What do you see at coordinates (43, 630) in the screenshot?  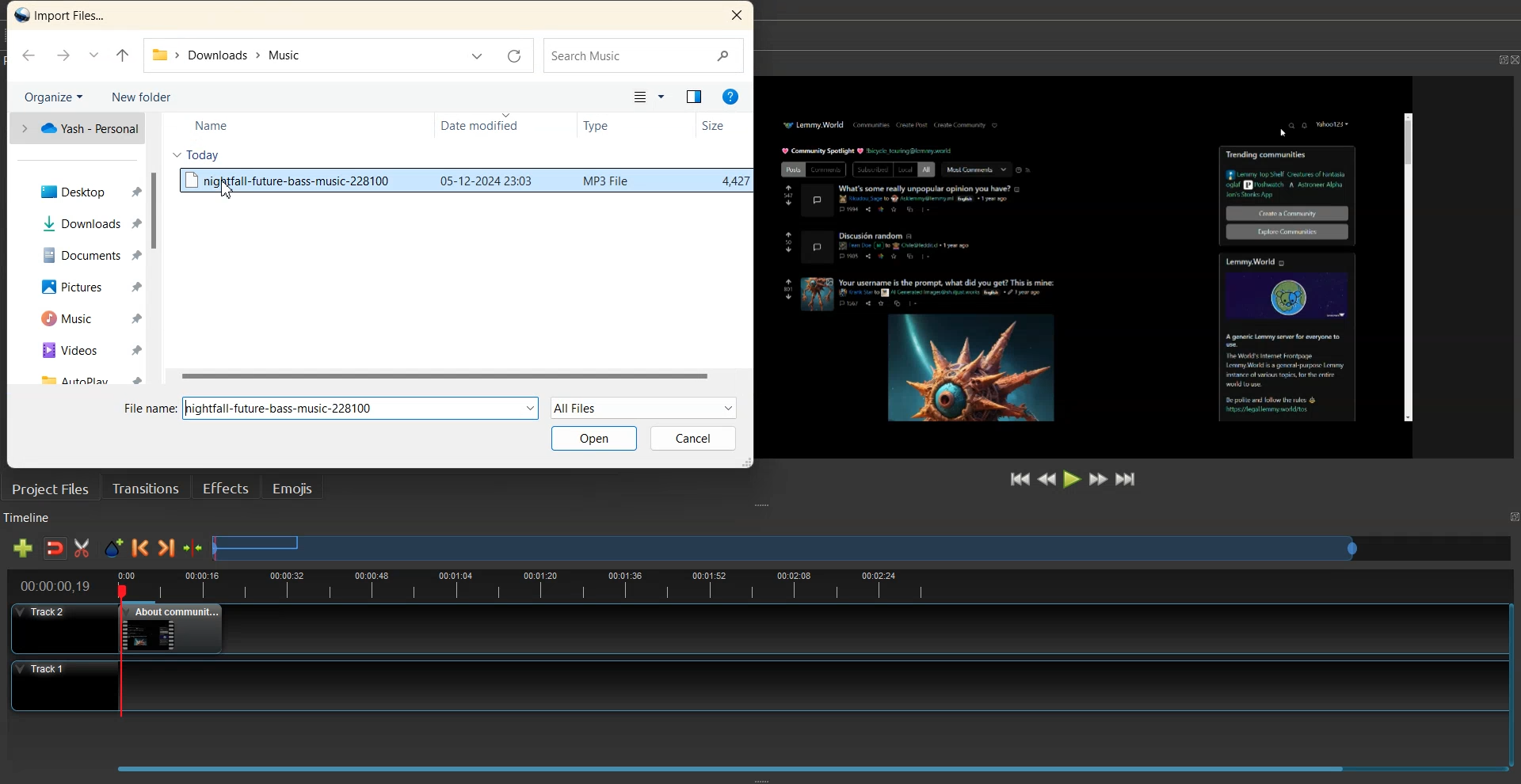 I see `Track 2` at bounding box center [43, 630].